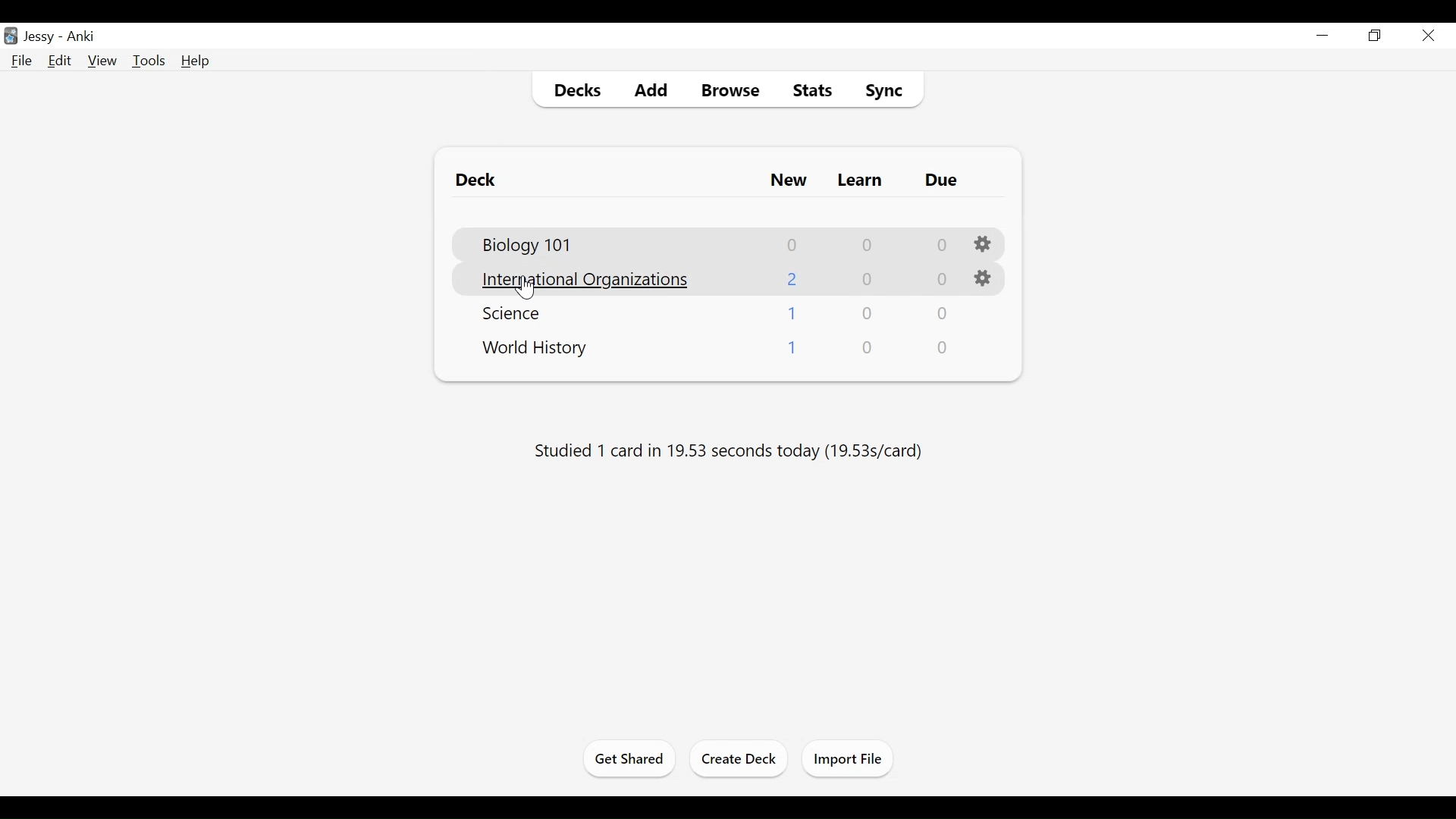 The image size is (1456, 819). I want to click on New Cards Coun, so click(794, 281).